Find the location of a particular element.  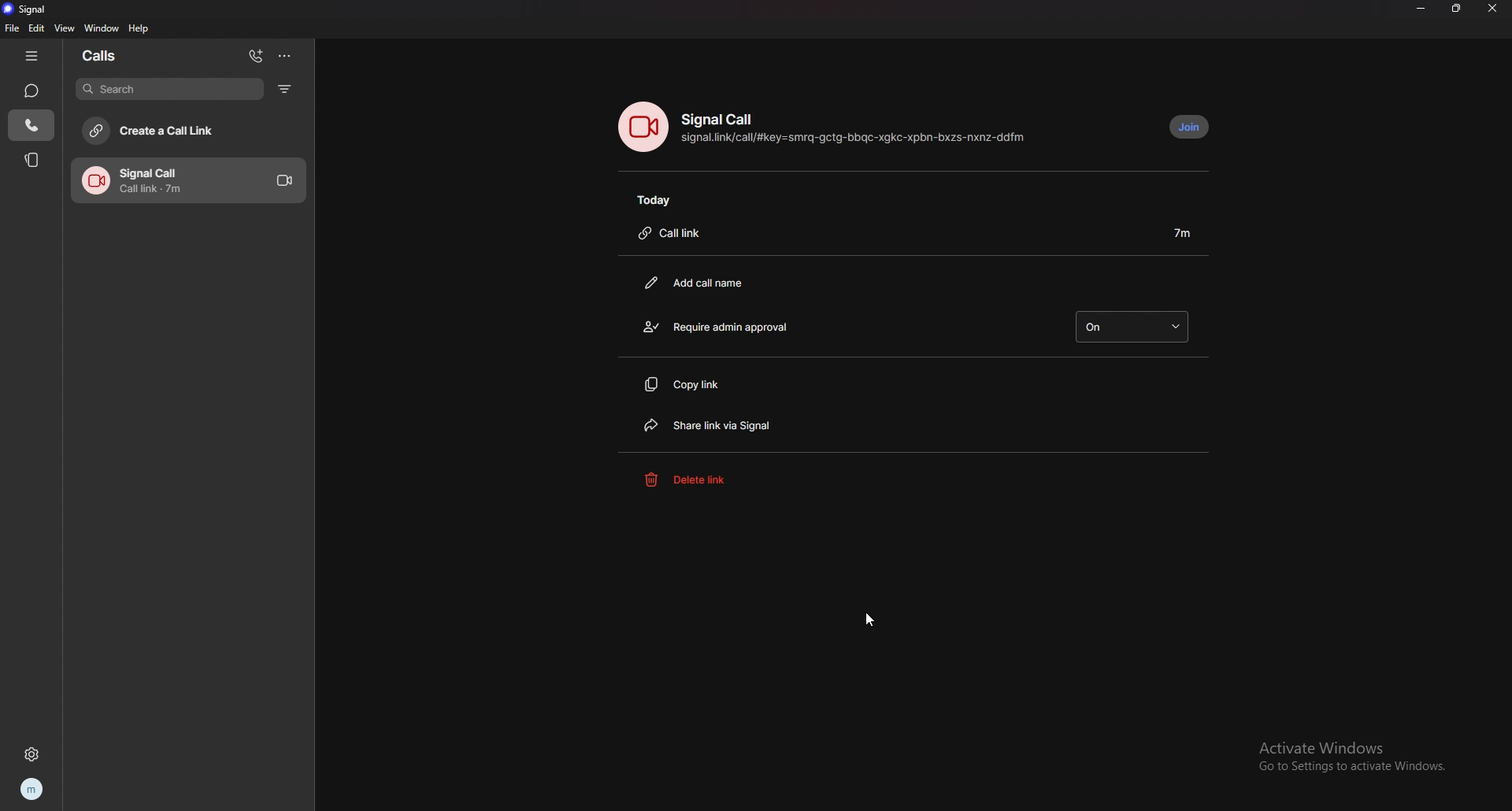

calls is located at coordinates (32, 124).